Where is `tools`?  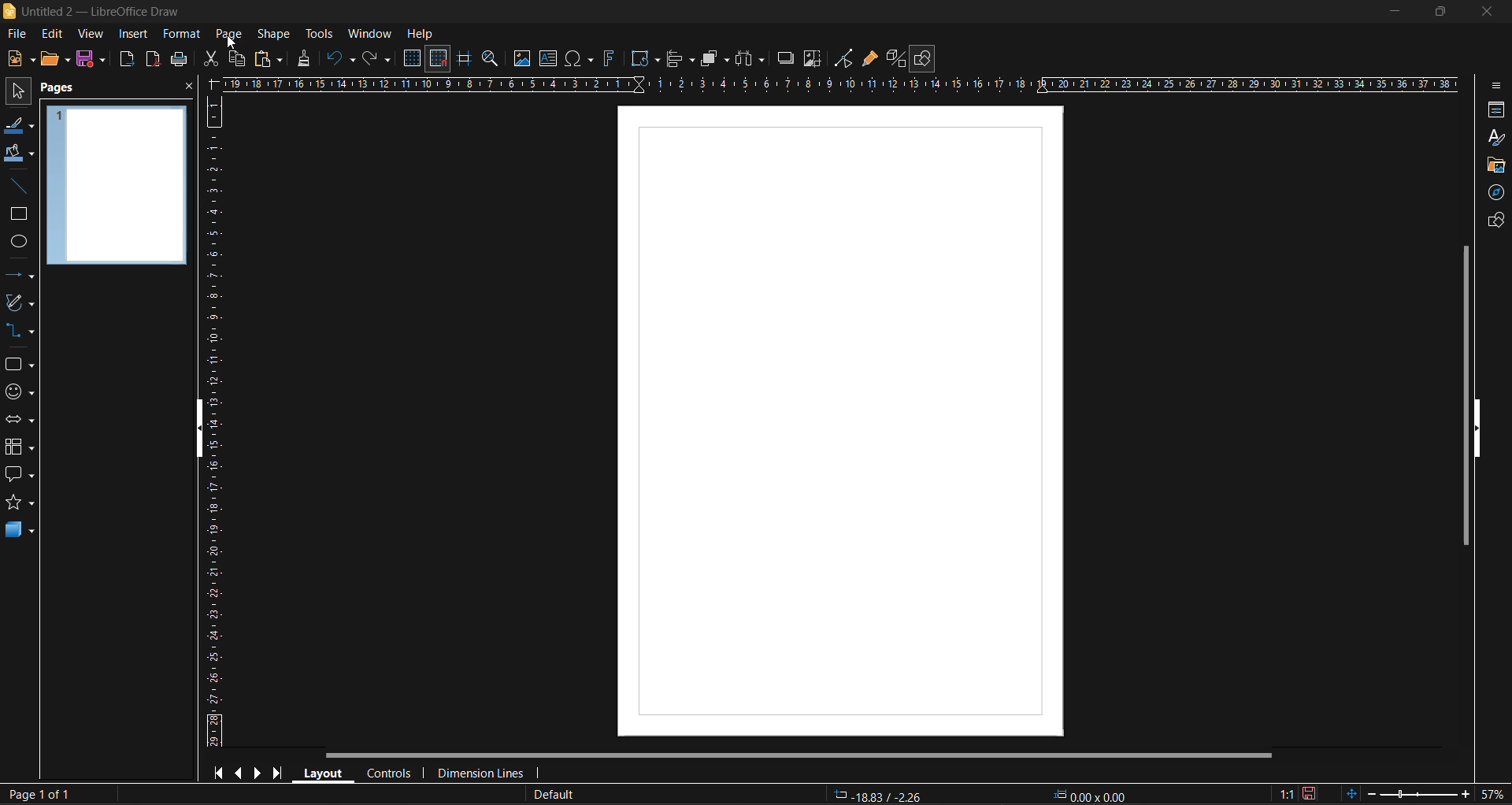
tools is located at coordinates (320, 33).